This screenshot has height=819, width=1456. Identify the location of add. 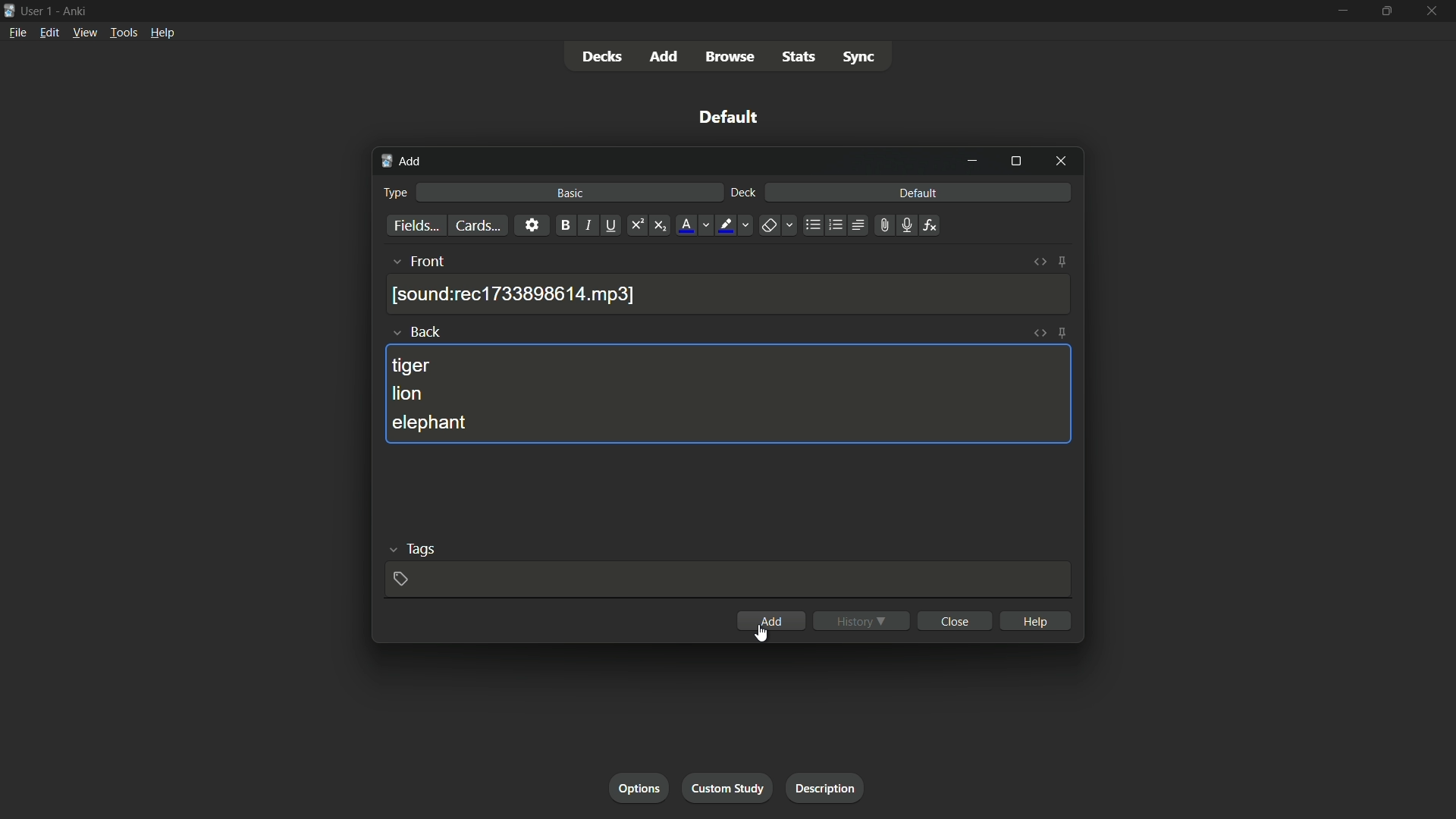
(770, 621).